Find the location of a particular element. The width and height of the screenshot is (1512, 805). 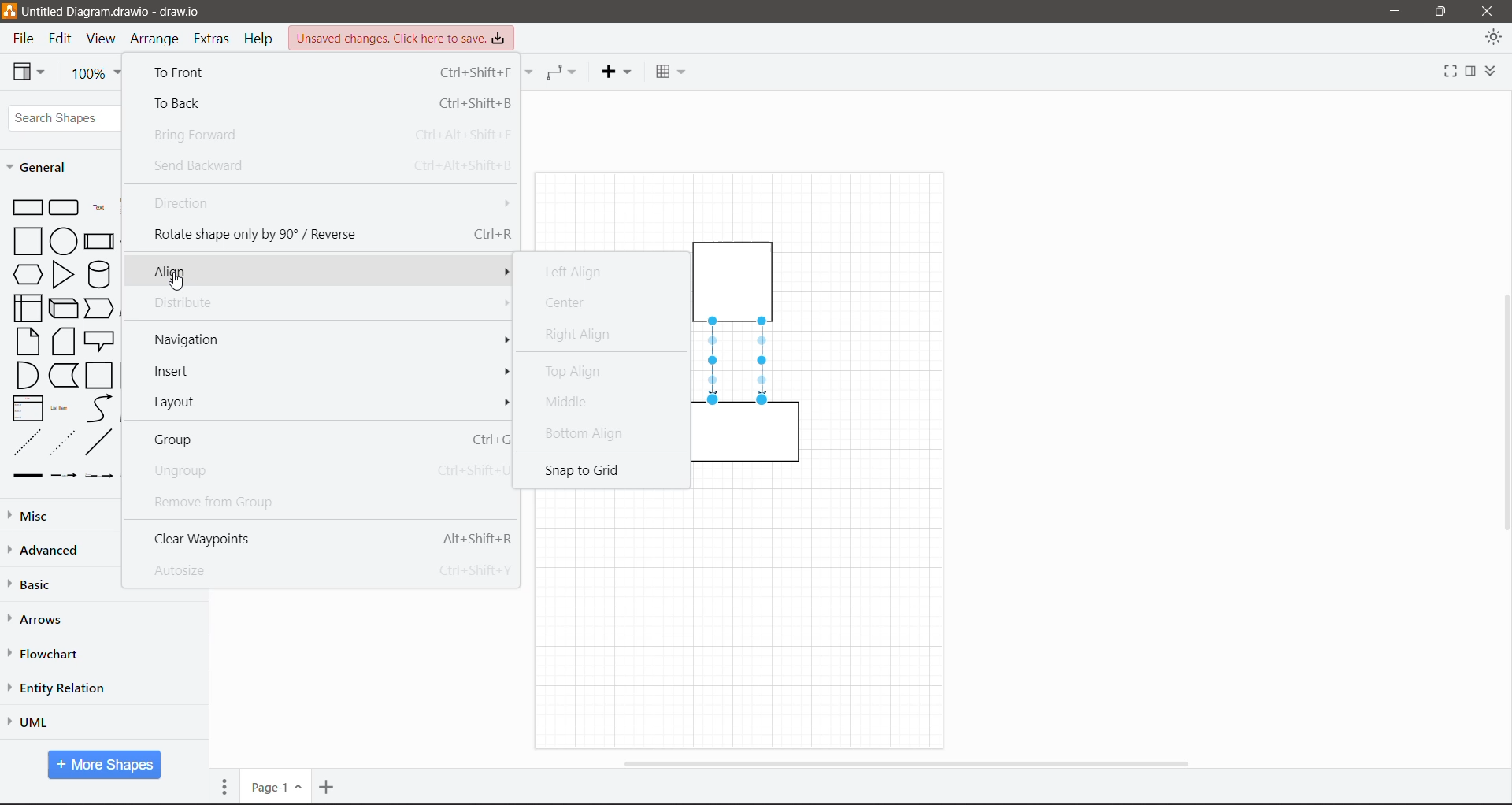

Container is located at coordinates (100, 376).